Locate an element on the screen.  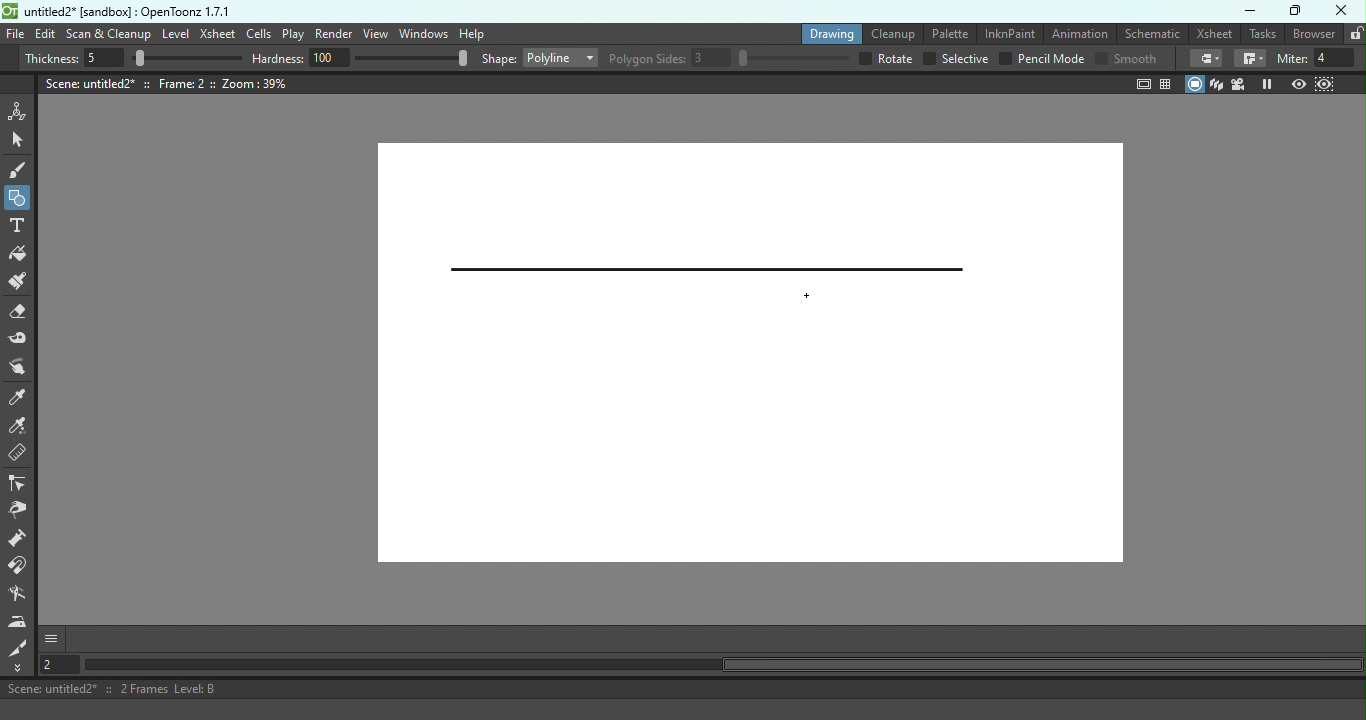
Tape tool is located at coordinates (22, 340).